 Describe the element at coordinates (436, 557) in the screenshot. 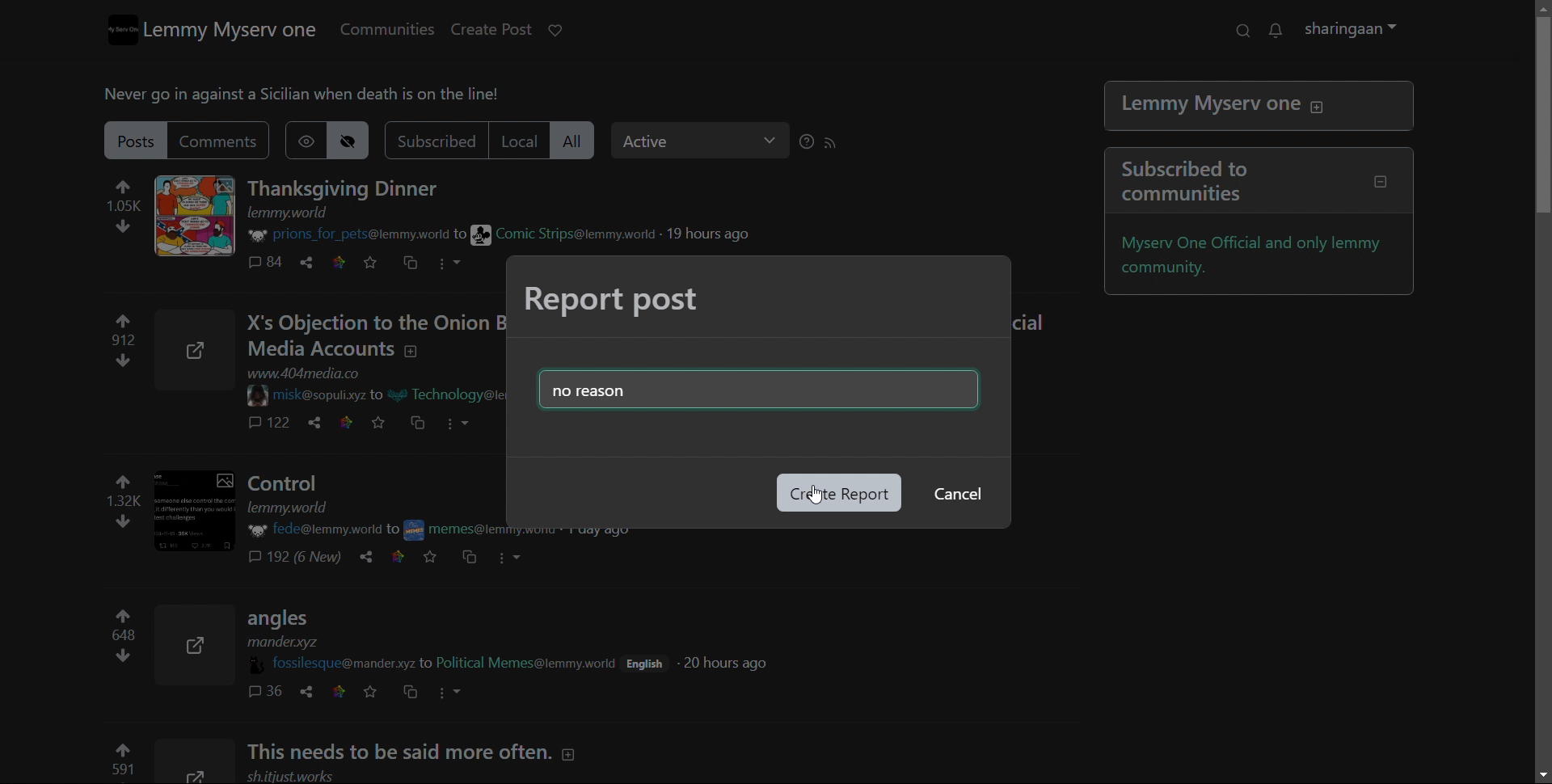

I see `favorites` at that location.